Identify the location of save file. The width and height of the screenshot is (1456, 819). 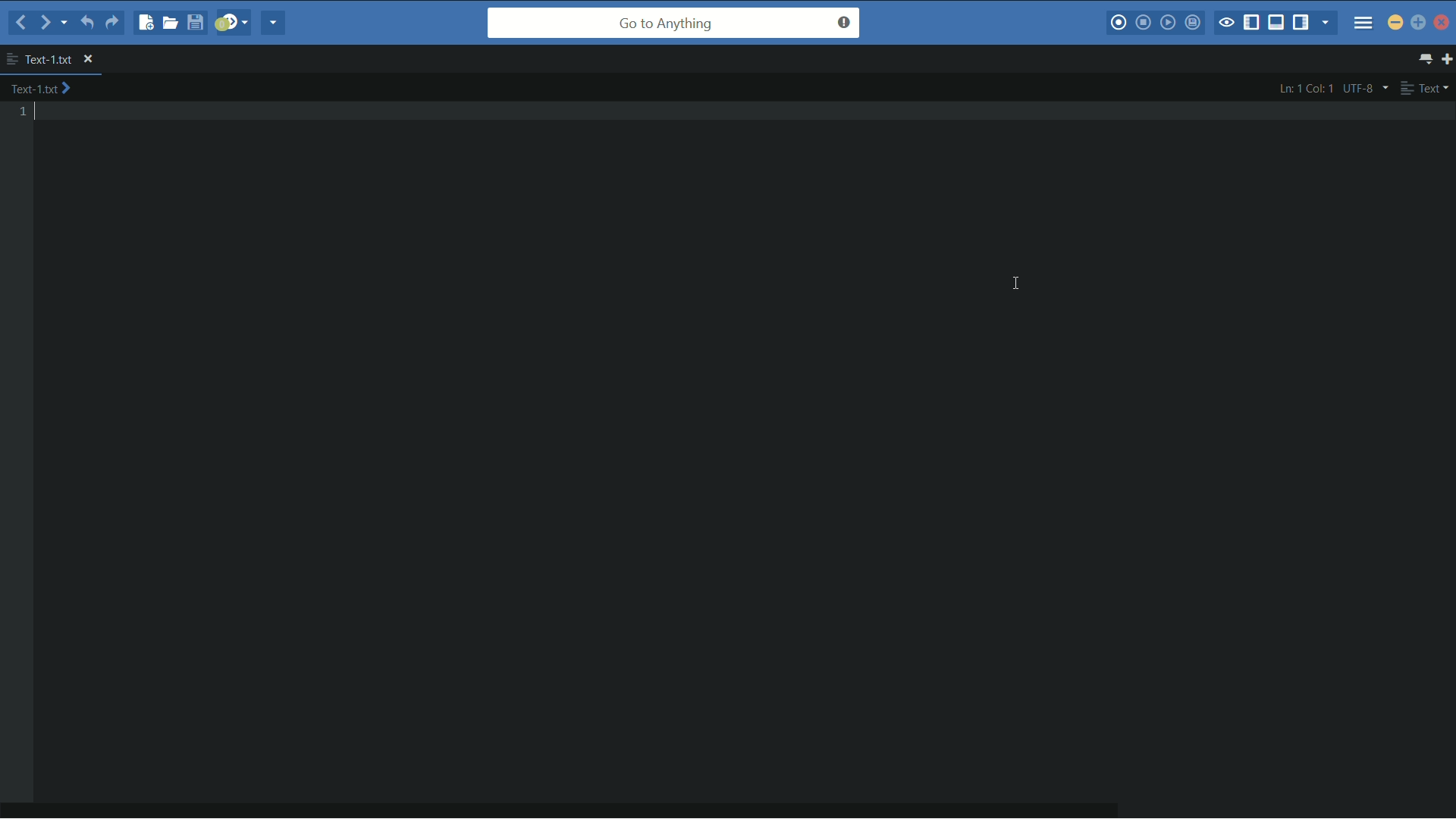
(193, 24).